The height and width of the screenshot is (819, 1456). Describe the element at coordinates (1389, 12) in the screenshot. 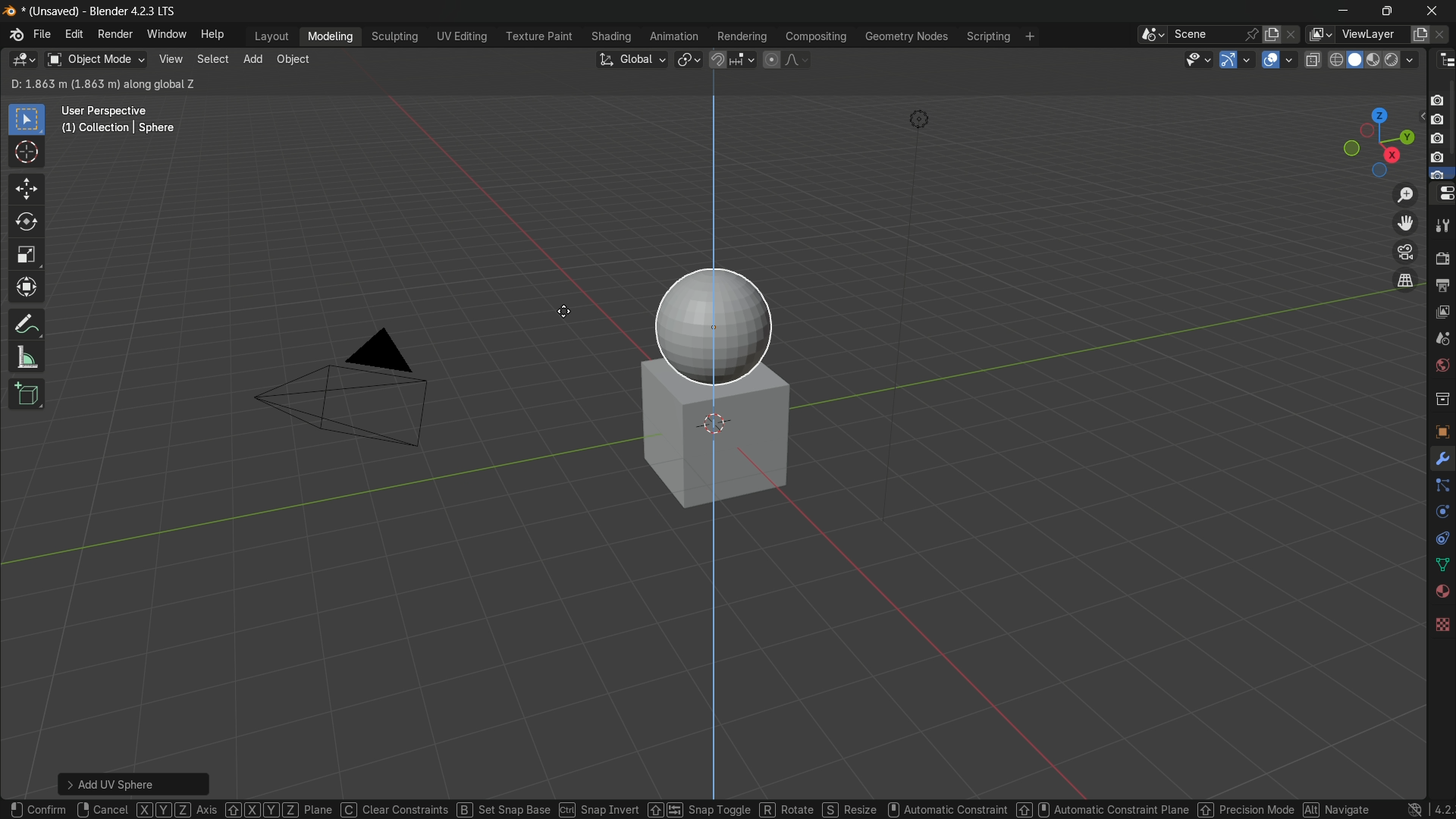

I see `maximize or restore` at that location.